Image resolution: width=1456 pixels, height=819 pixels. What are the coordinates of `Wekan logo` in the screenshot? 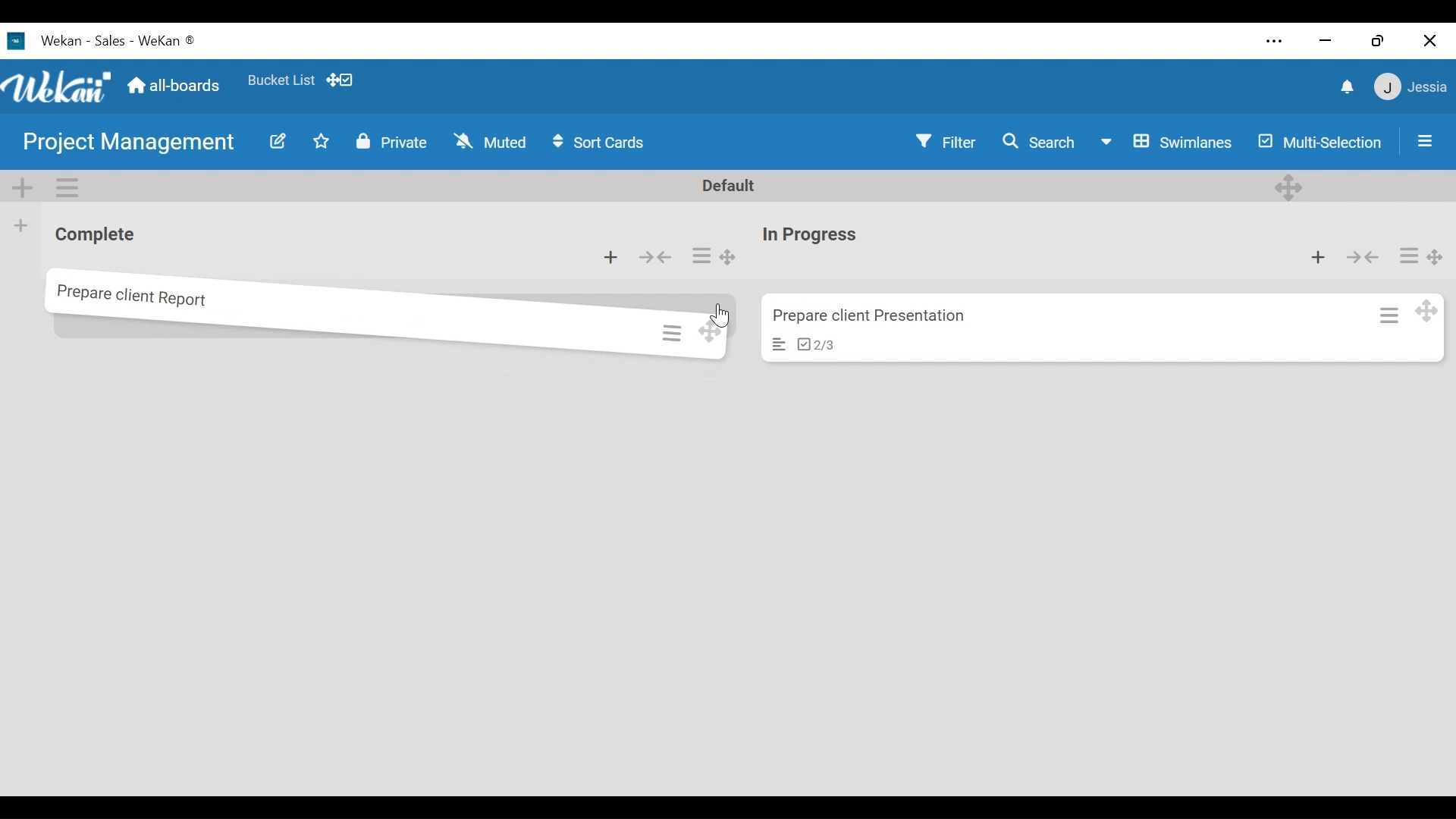 It's located at (59, 88).